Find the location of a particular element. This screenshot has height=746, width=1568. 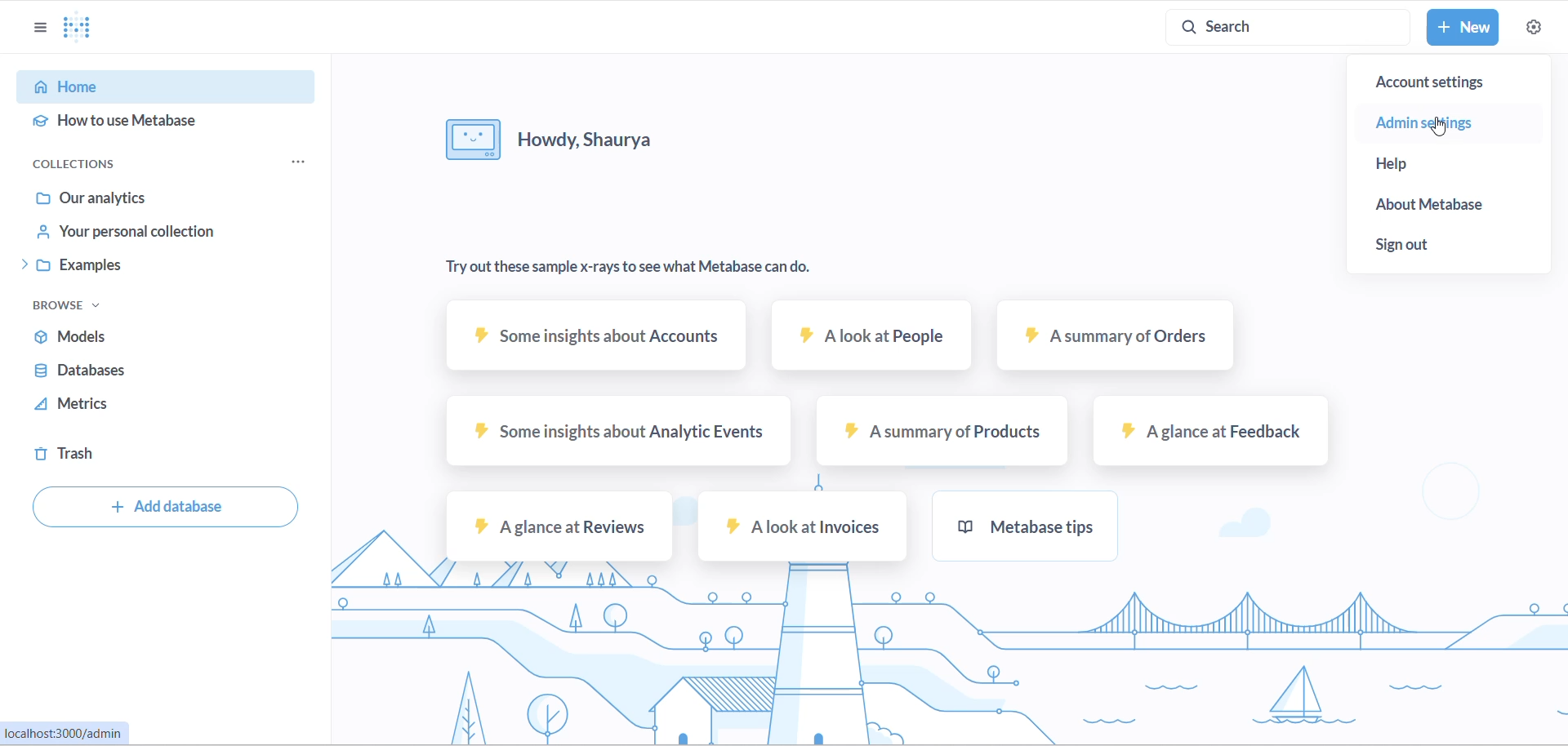

A look at invoices sample is located at coordinates (806, 529).